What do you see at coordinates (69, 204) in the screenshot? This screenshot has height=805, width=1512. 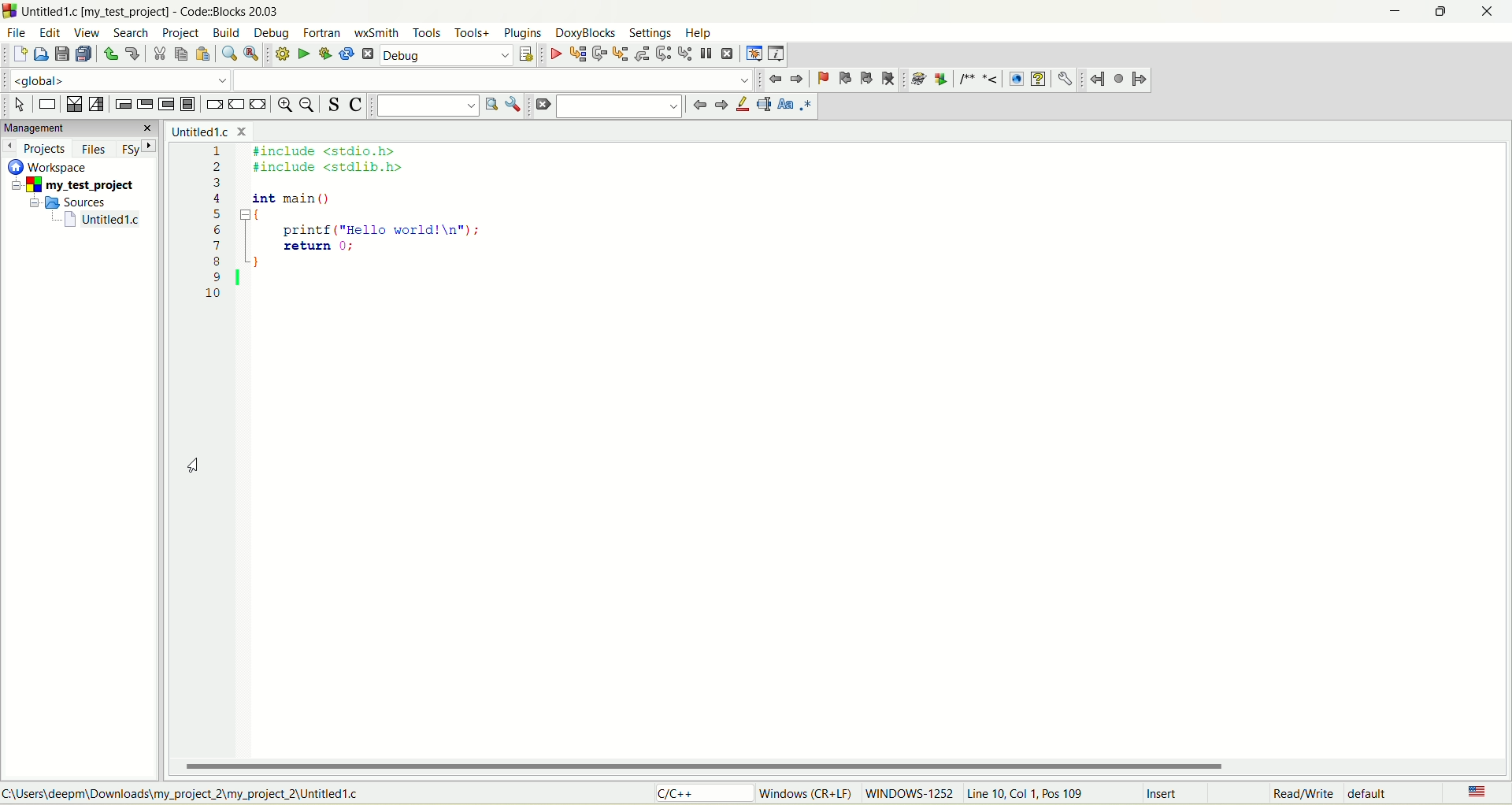 I see `sources` at bounding box center [69, 204].